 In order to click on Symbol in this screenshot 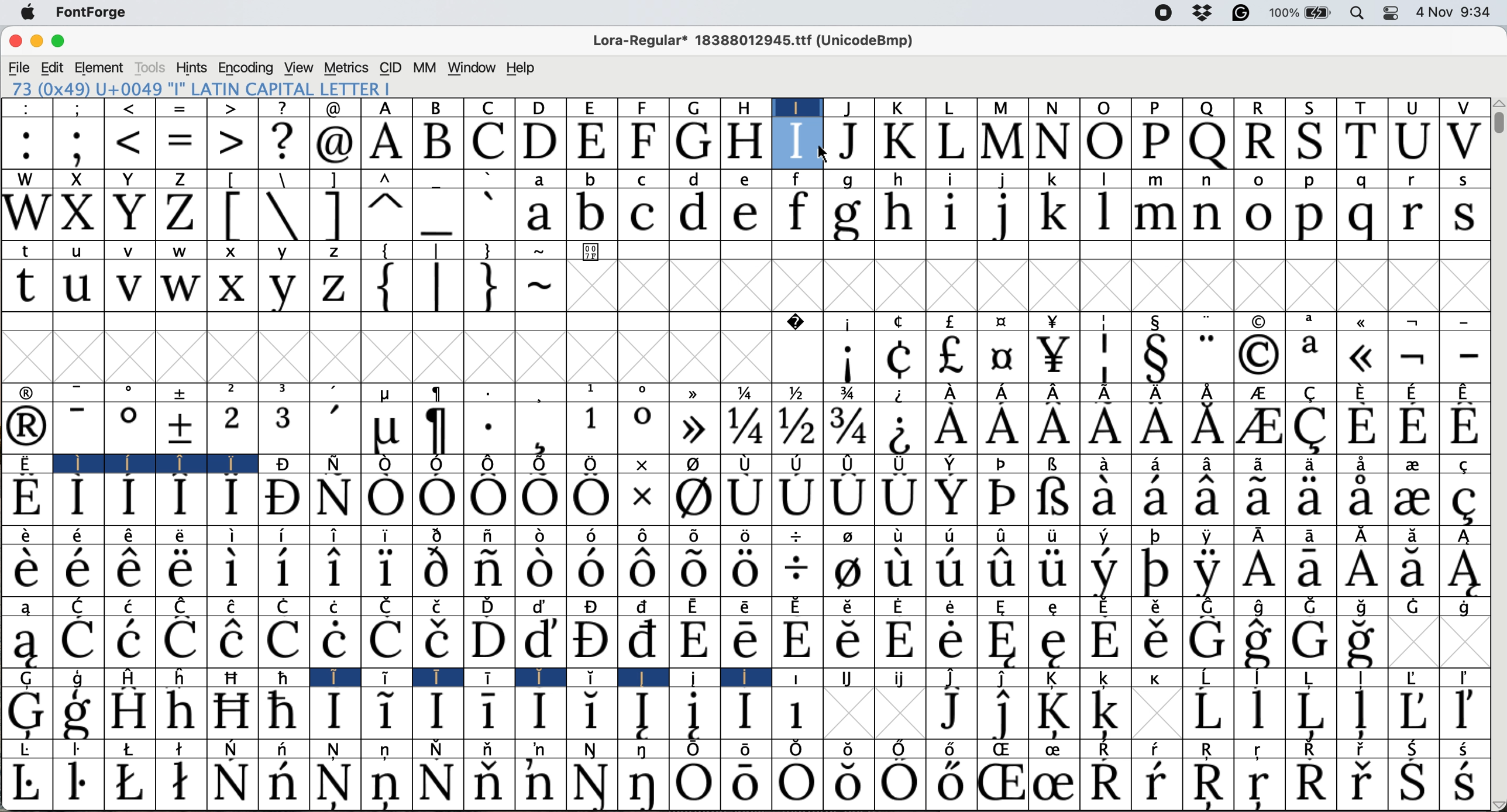, I will do `click(797, 502)`.